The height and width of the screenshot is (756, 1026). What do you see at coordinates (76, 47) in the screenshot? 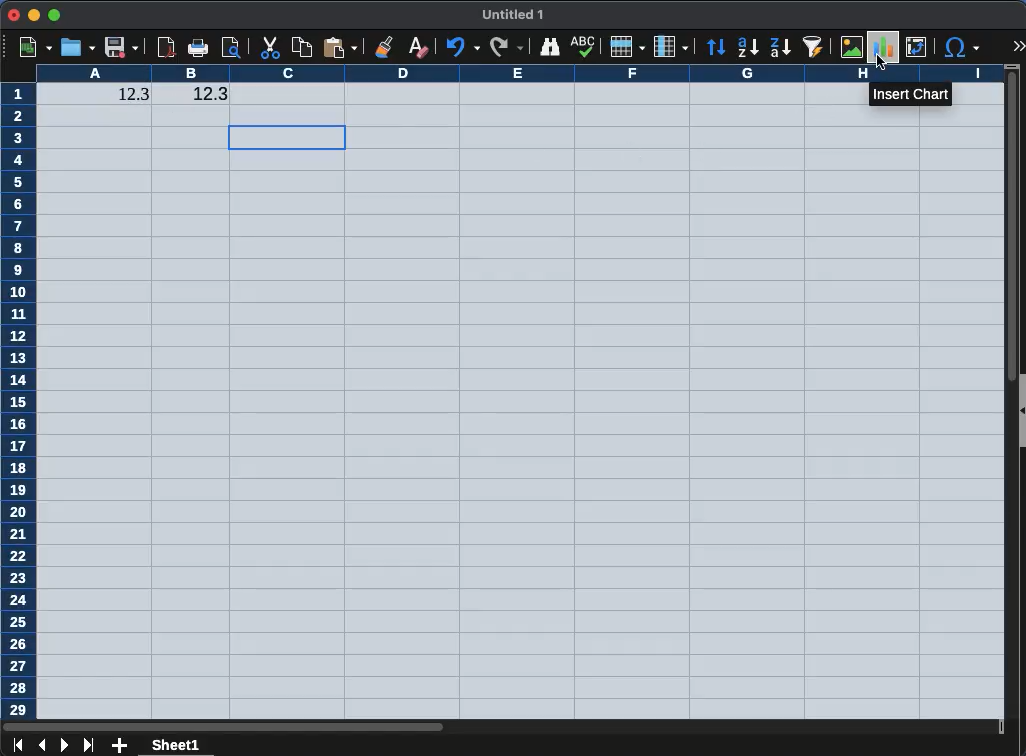
I see `open` at bounding box center [76, 47].